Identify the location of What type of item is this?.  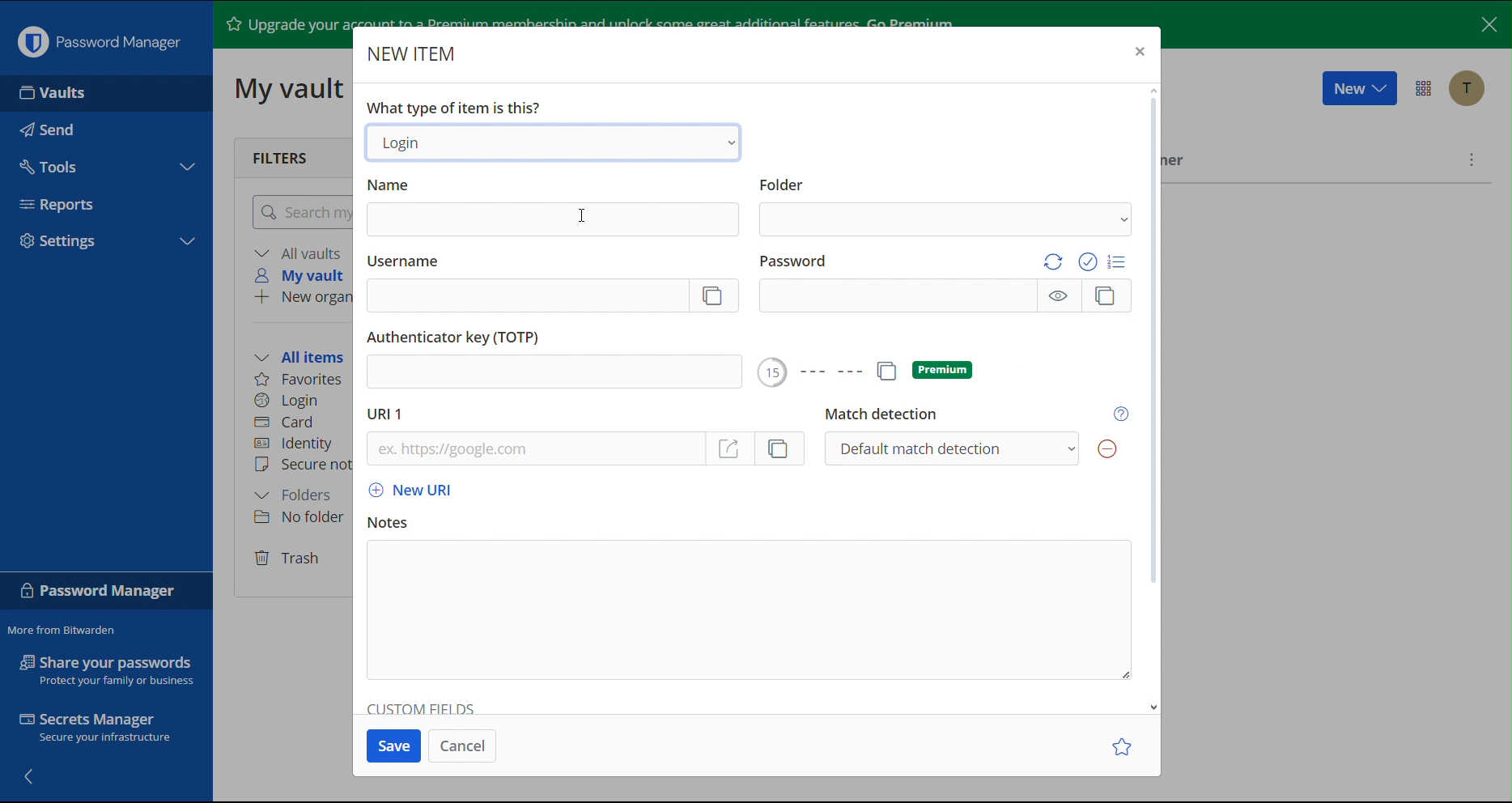
(453, 108).